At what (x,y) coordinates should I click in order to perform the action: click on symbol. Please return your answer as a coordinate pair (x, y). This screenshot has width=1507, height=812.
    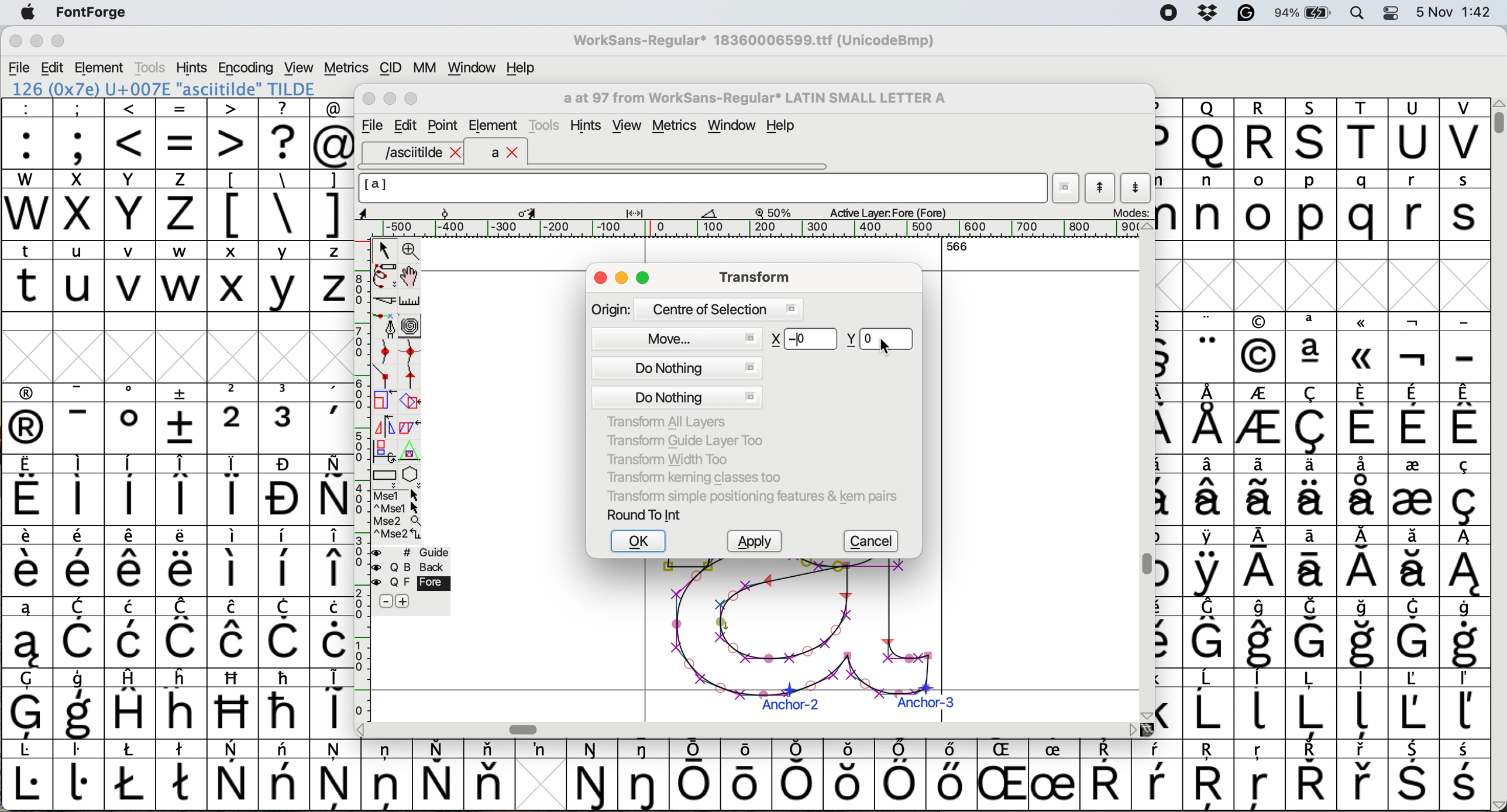
    Looking at the image, I should click on (27, 776).